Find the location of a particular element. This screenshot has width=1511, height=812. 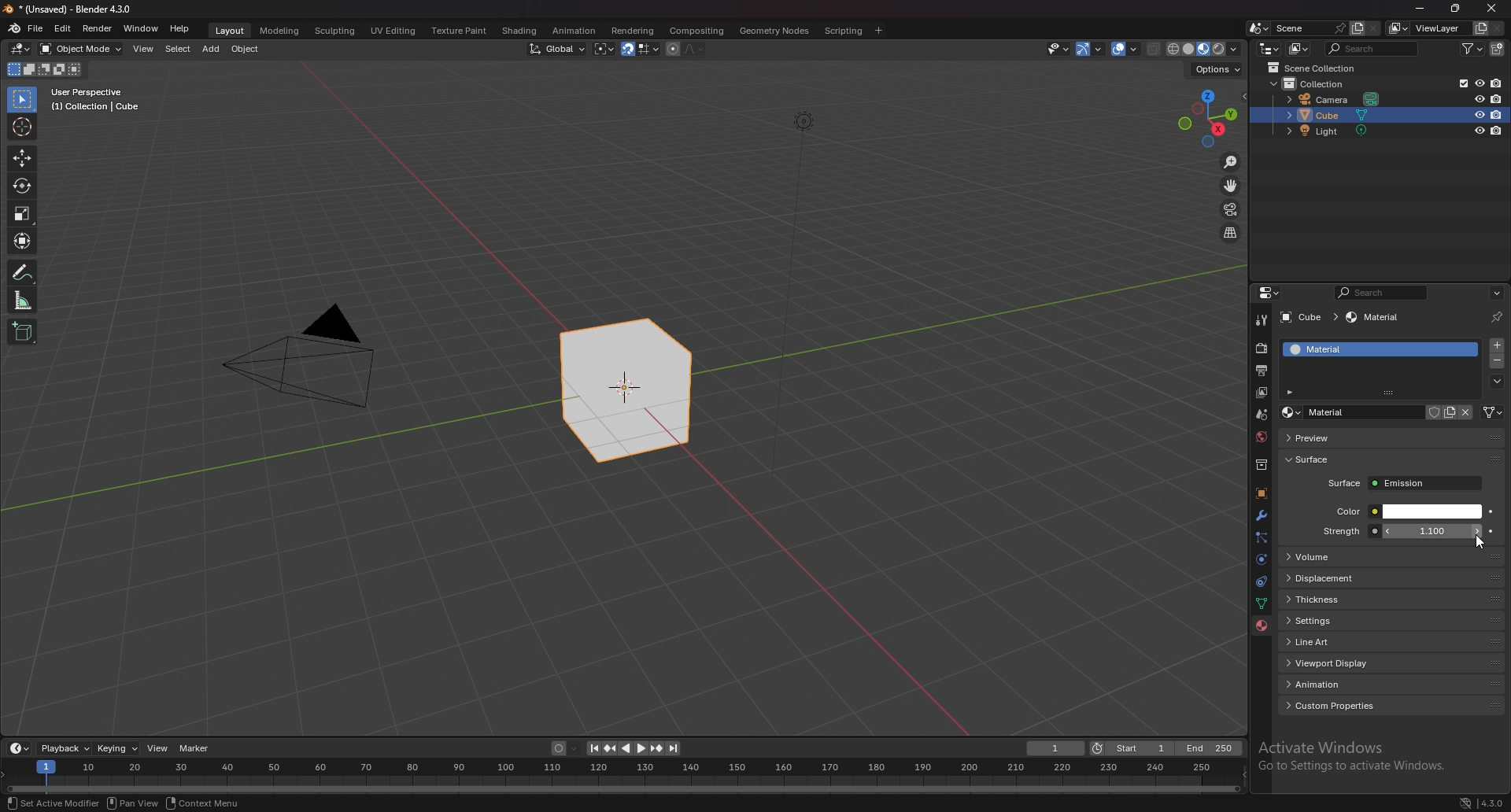

object is located at coordinates (1260, 494).